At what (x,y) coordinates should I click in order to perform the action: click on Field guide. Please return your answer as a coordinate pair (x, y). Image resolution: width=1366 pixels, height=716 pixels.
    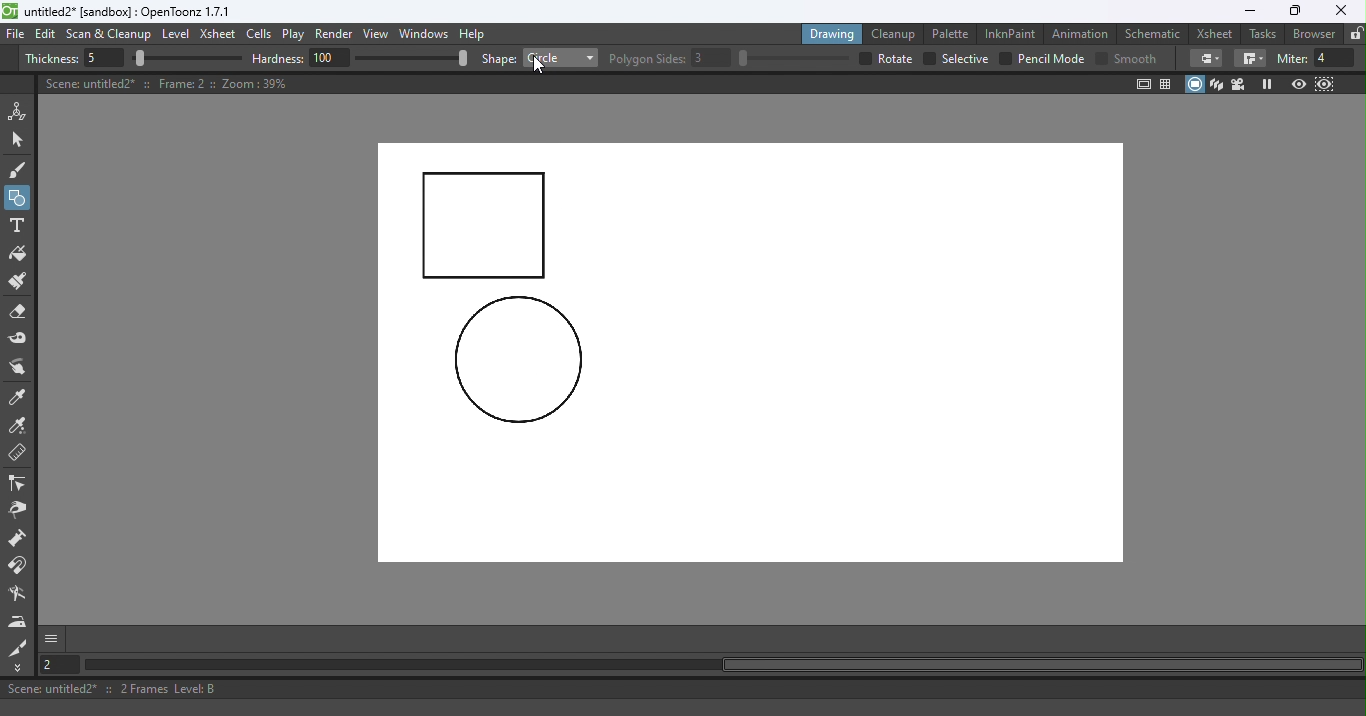
    Looking at the image, I should click on (1169, 83).